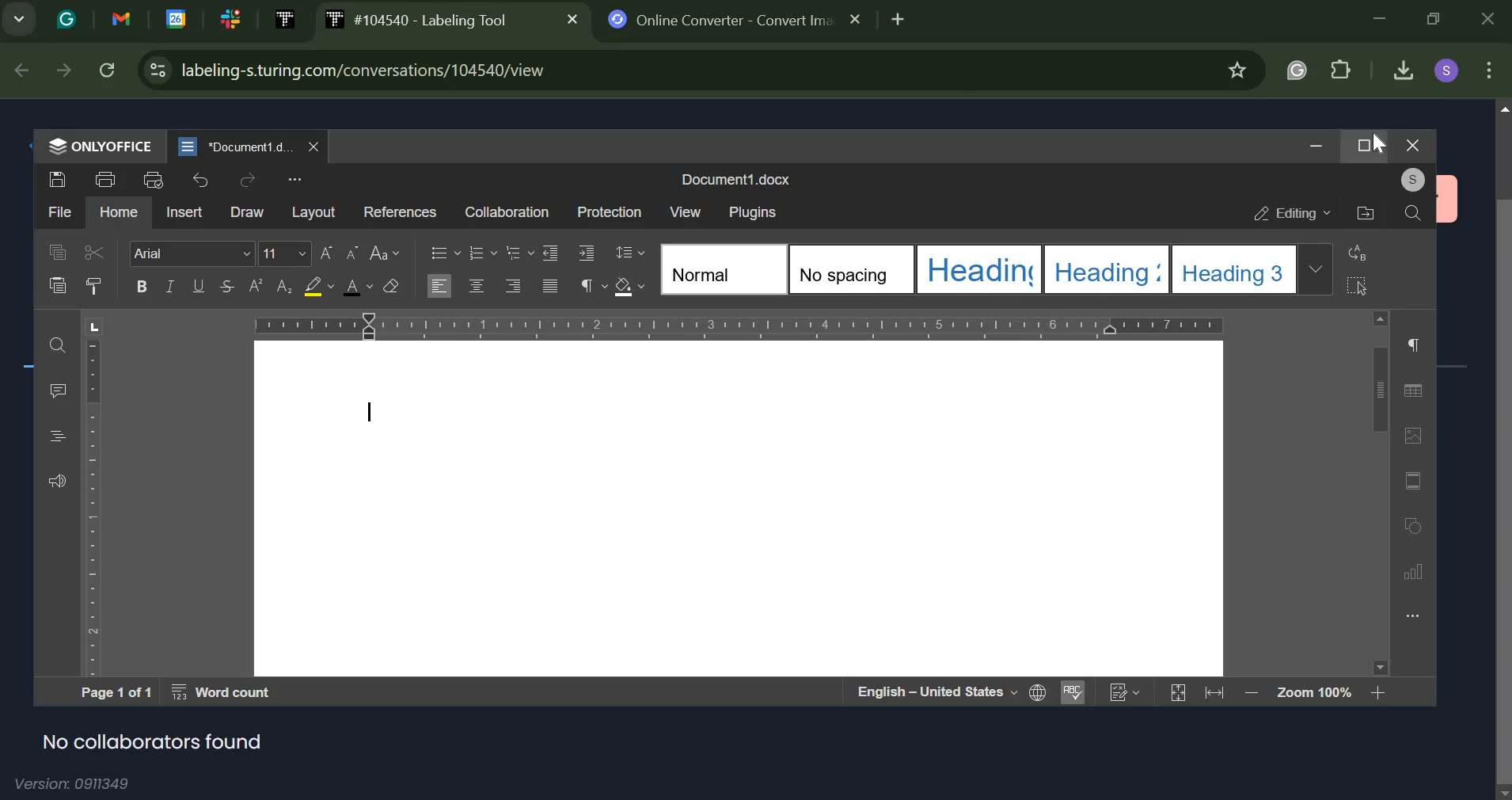  I want to click on subscript, so click(256, 287).